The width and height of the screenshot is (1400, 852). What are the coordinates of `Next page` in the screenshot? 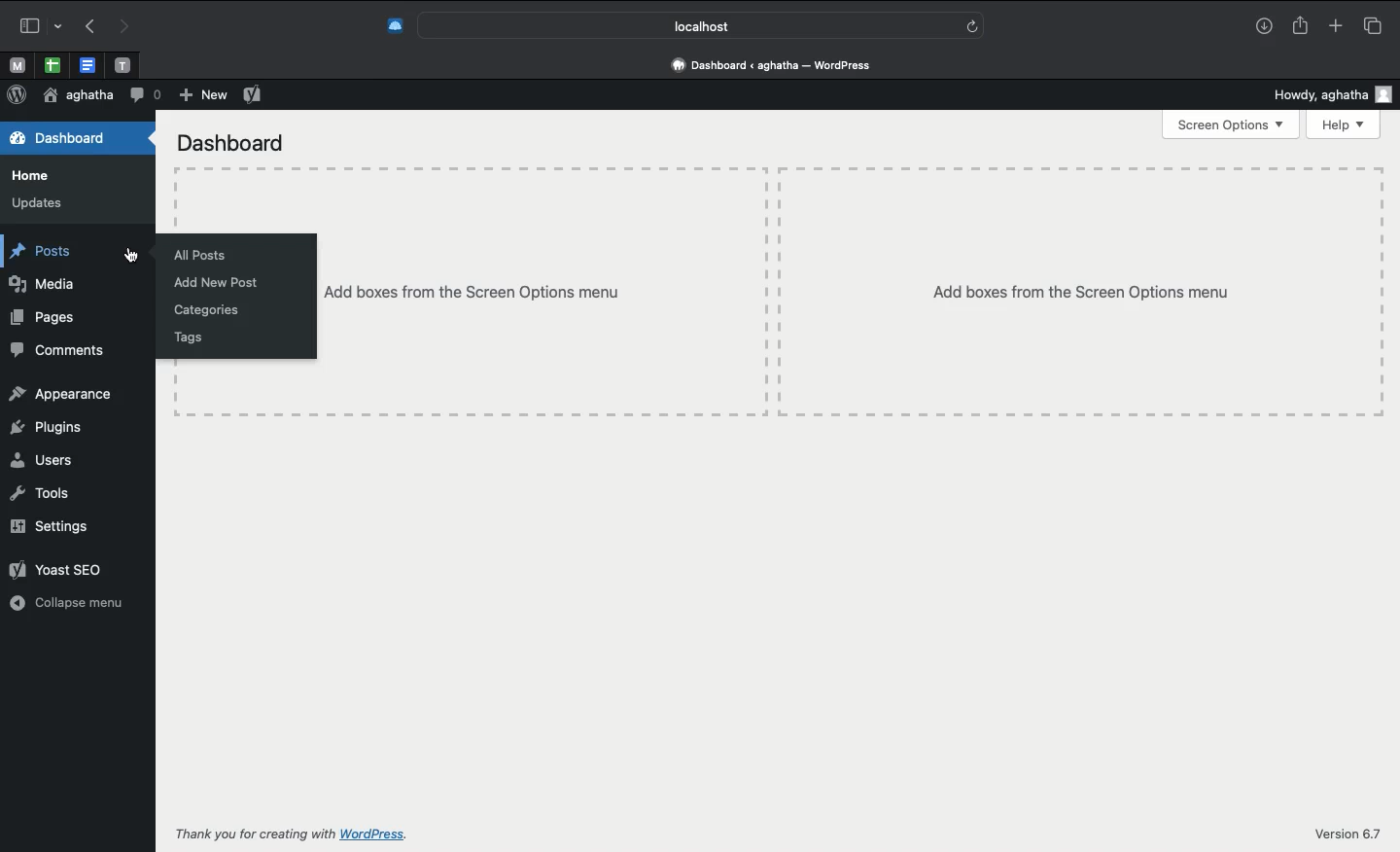 It's located at (126, 25).